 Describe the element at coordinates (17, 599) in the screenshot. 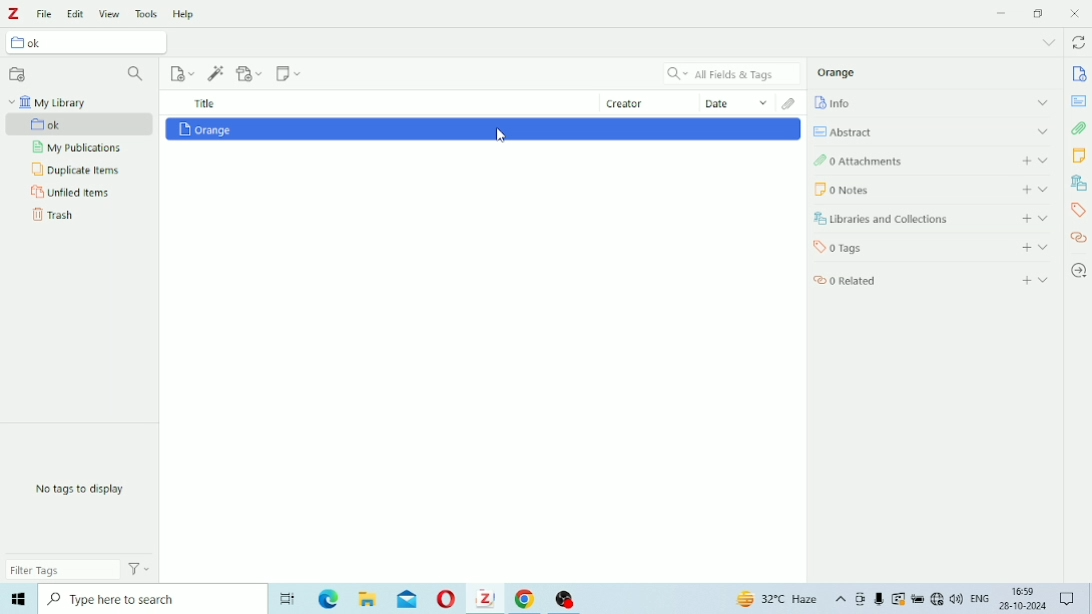

I see `Microsoft Edge` at that location.